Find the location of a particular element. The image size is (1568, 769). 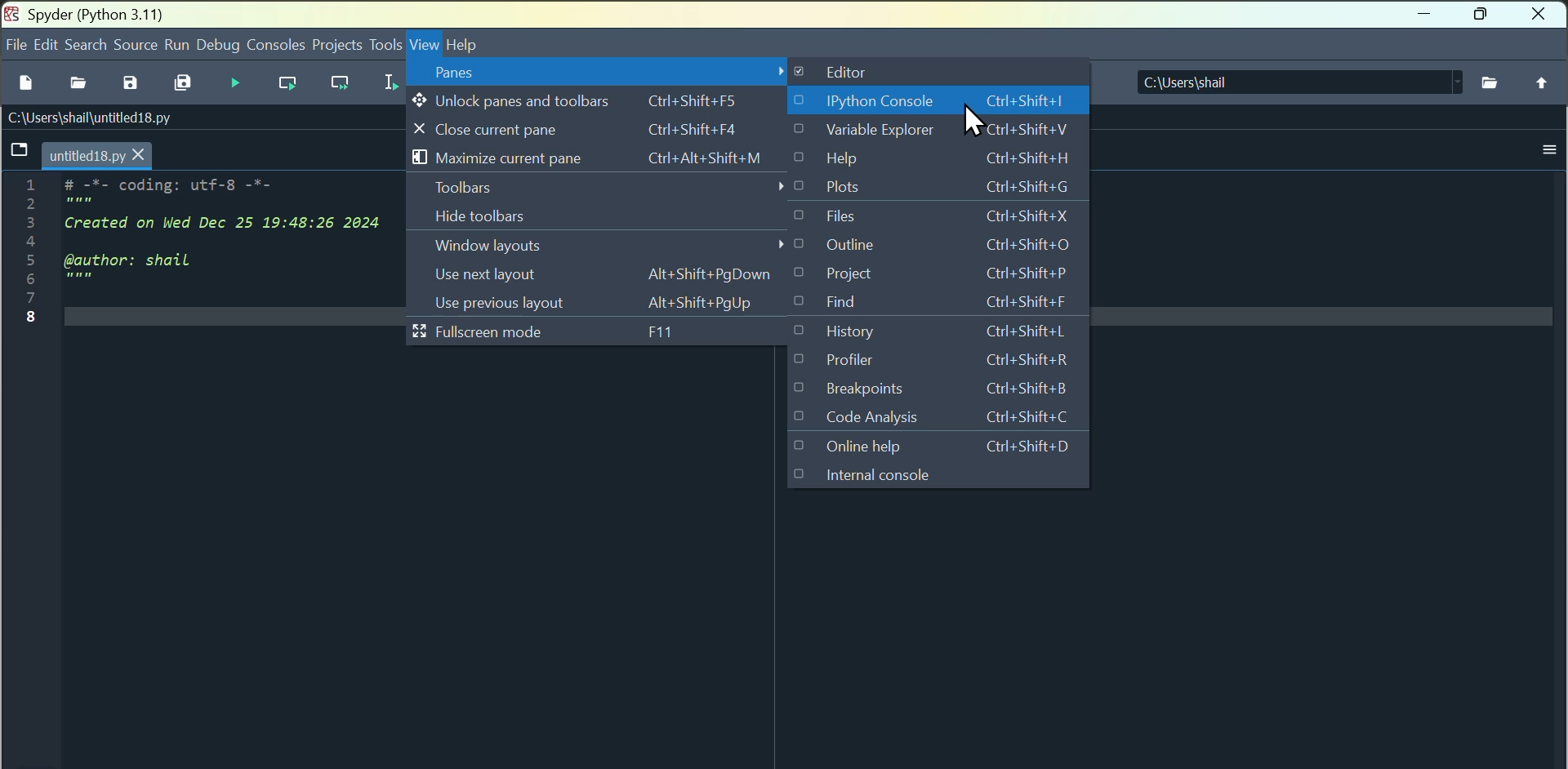

Editor is located at coordinates (871, 73).